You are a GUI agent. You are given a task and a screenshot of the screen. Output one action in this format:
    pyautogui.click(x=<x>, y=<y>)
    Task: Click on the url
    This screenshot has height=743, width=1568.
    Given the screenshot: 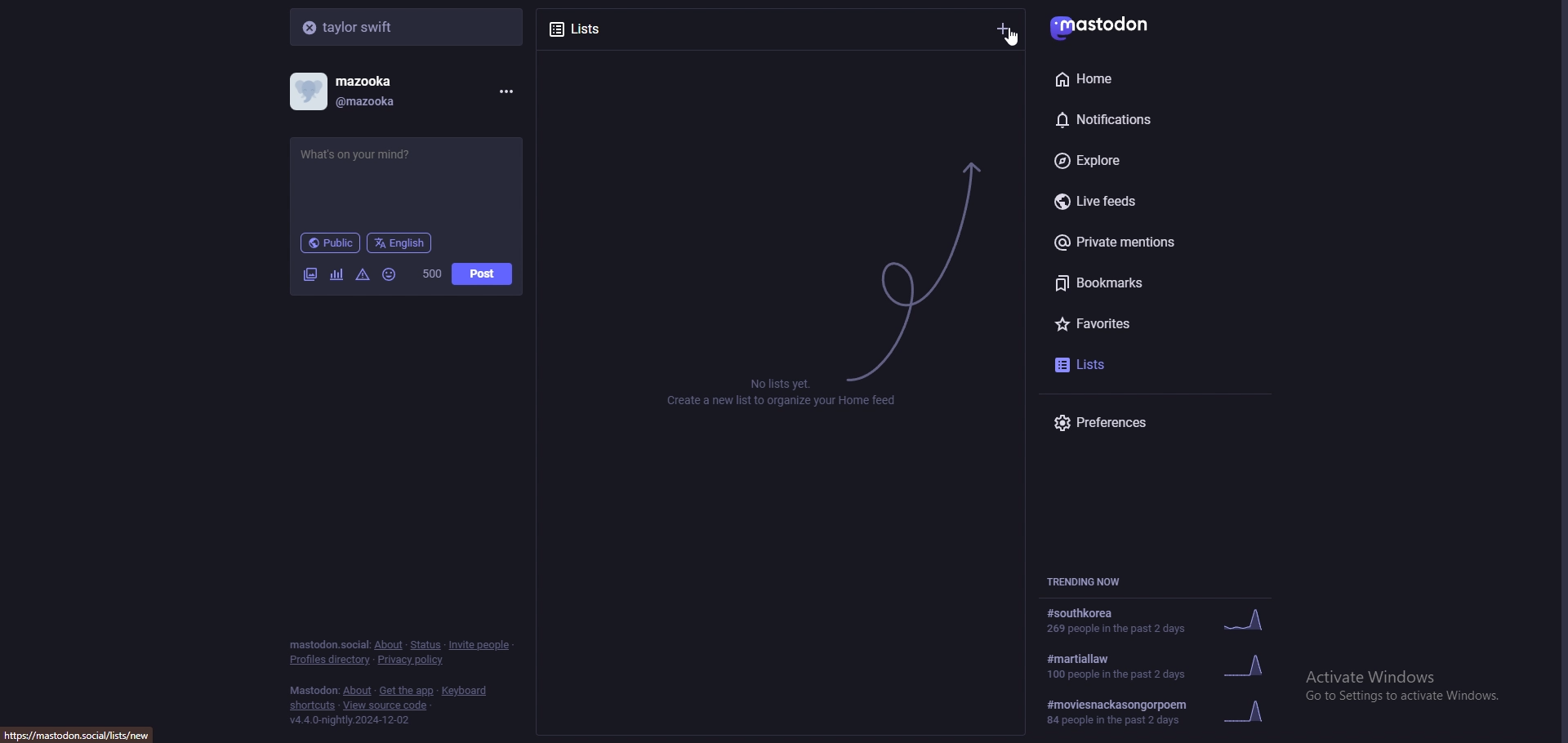 What is the action you would take?
    pyautogui.click(x=90, y=732)
    